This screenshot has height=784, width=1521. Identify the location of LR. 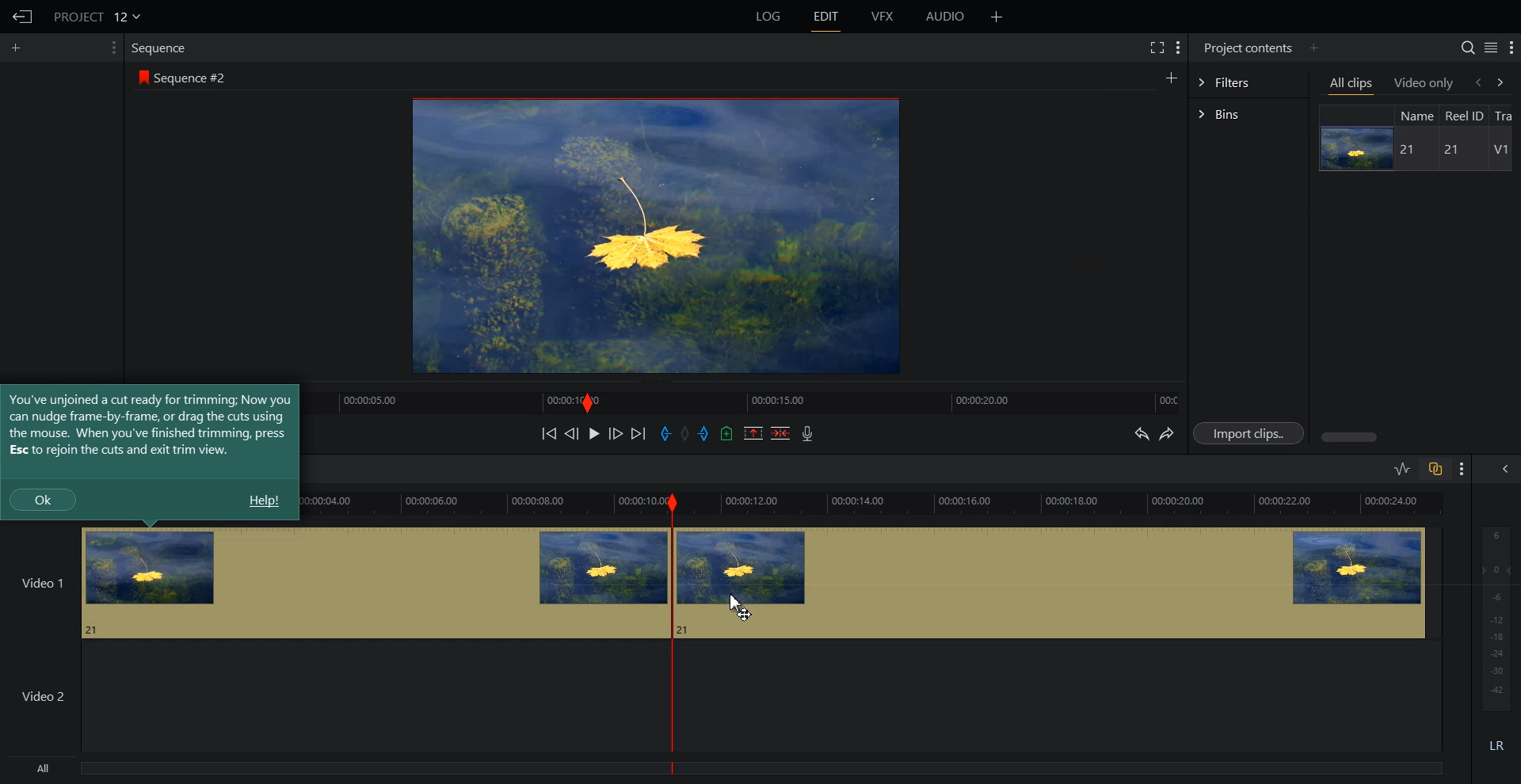
(1494, 744).